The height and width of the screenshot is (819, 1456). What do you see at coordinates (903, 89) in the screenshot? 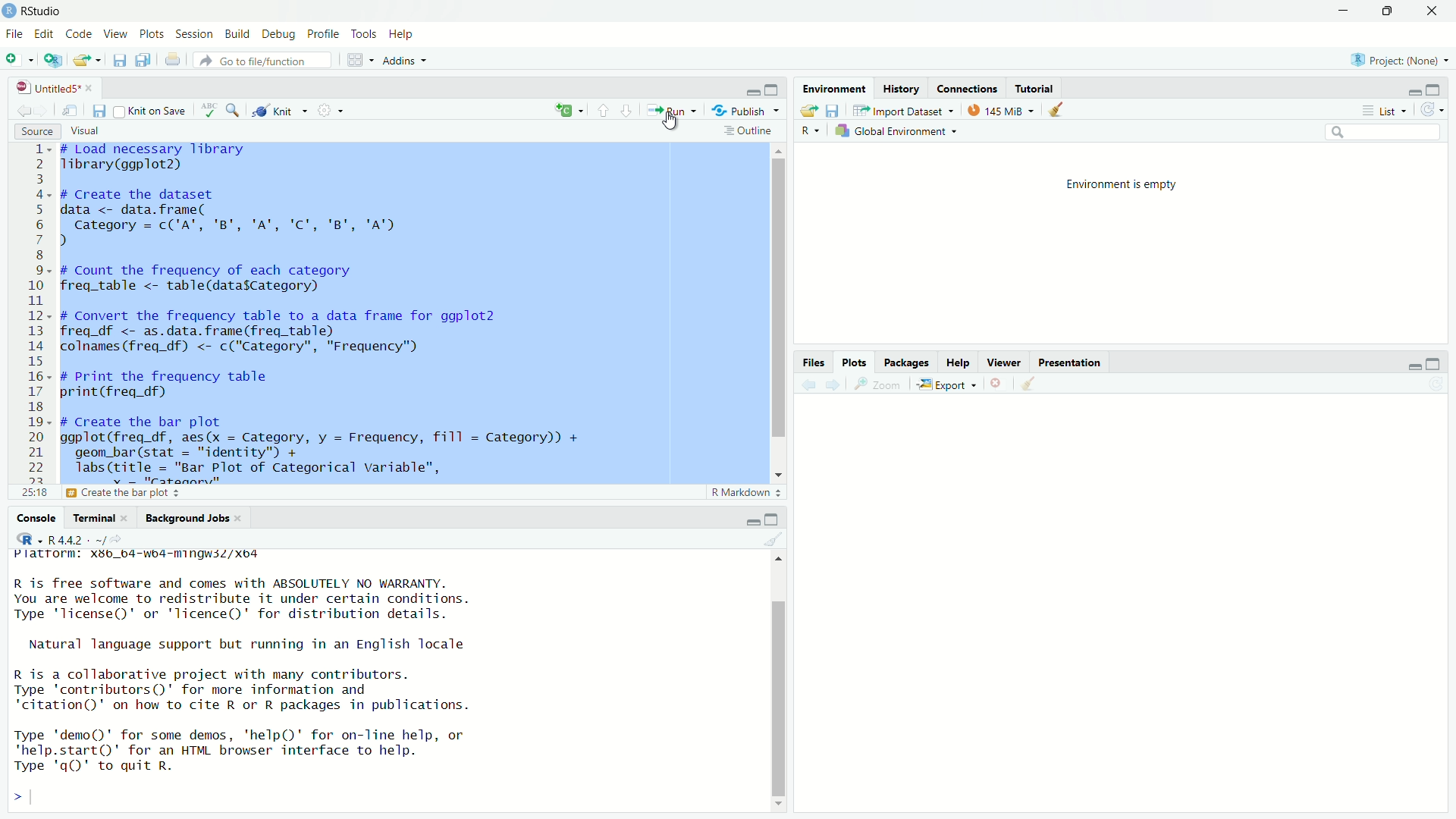
I see `history` at bounding box center [903, 89].